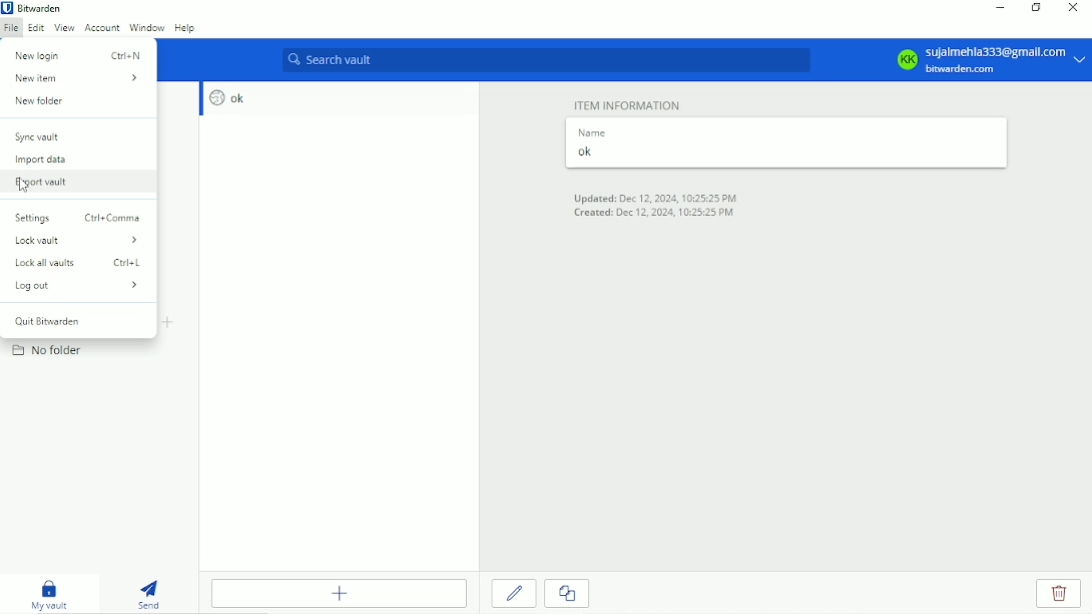 The height and width of the screenshot is (614, 1092). I want to click on New login, so click(81, 53).